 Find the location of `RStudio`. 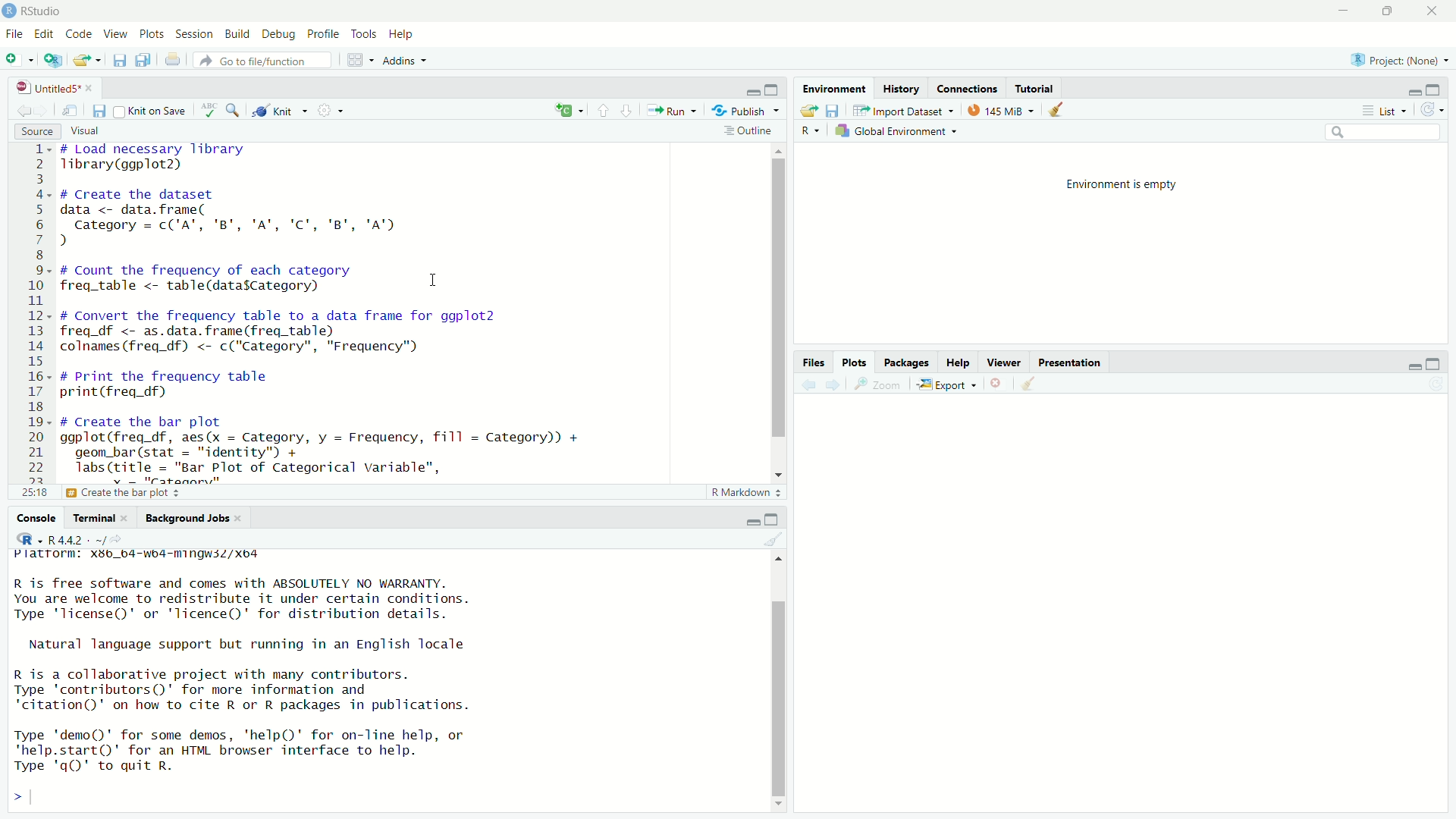

RStudio is located at coordinates (47, 11).